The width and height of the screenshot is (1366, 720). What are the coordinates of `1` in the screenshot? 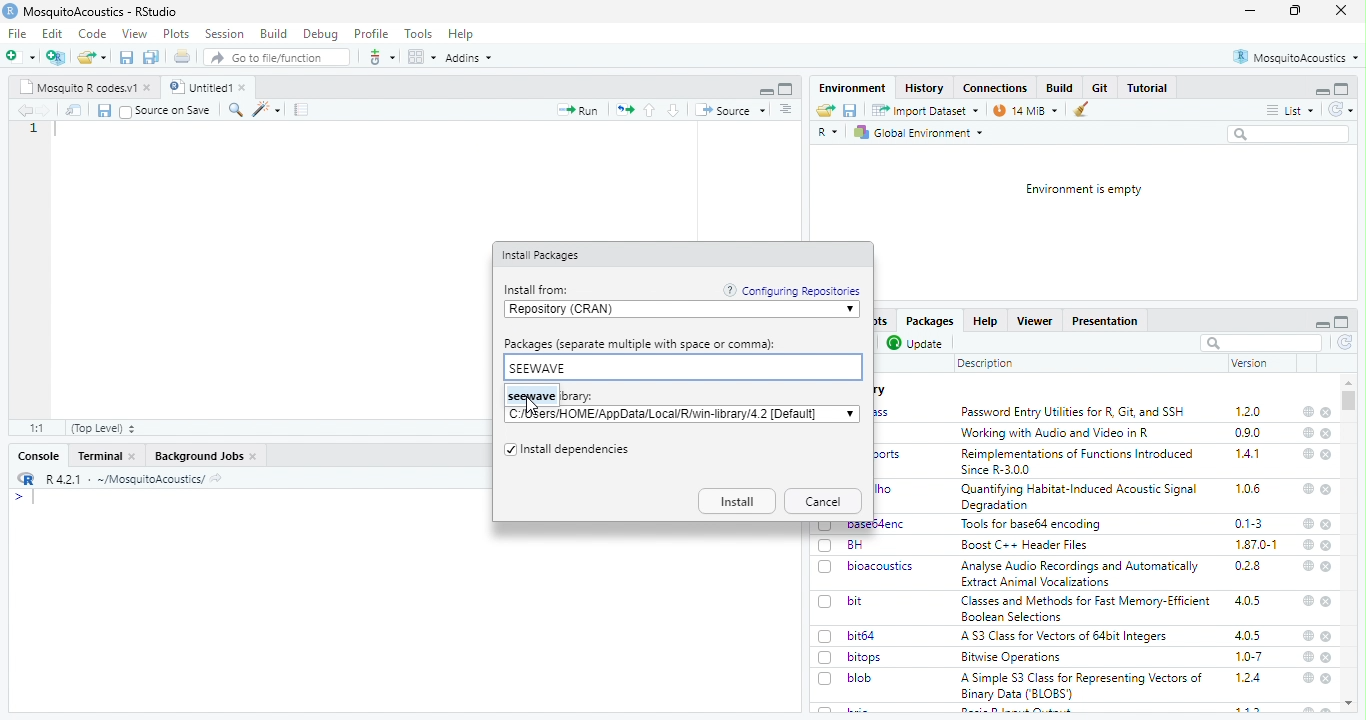 It's located at (34, 128).